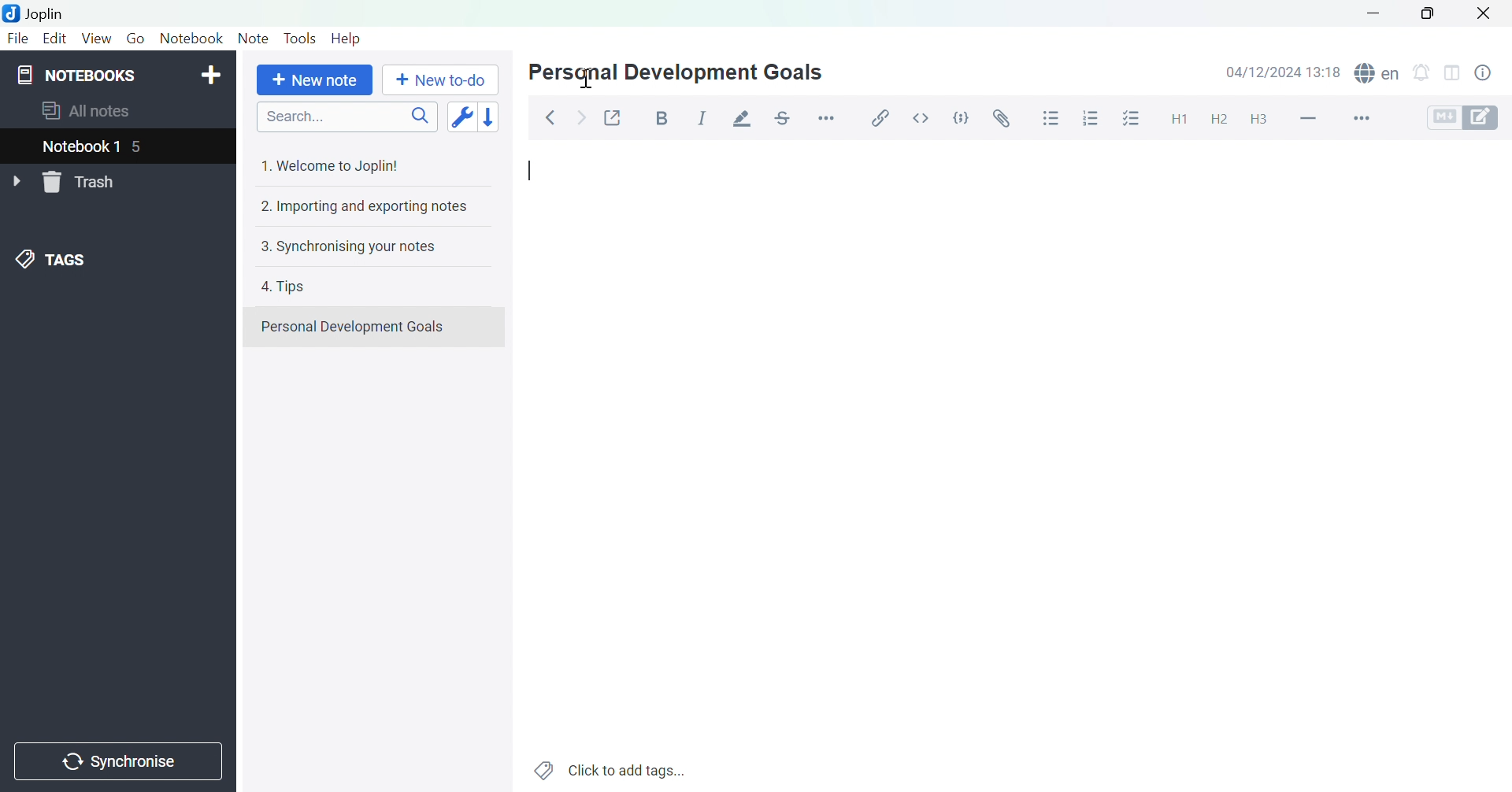 The image size is (1512, 792). What do you see at coordinates (744, 118) in the screenshot?
I see `Highlight` at bounding box center [744, 118].